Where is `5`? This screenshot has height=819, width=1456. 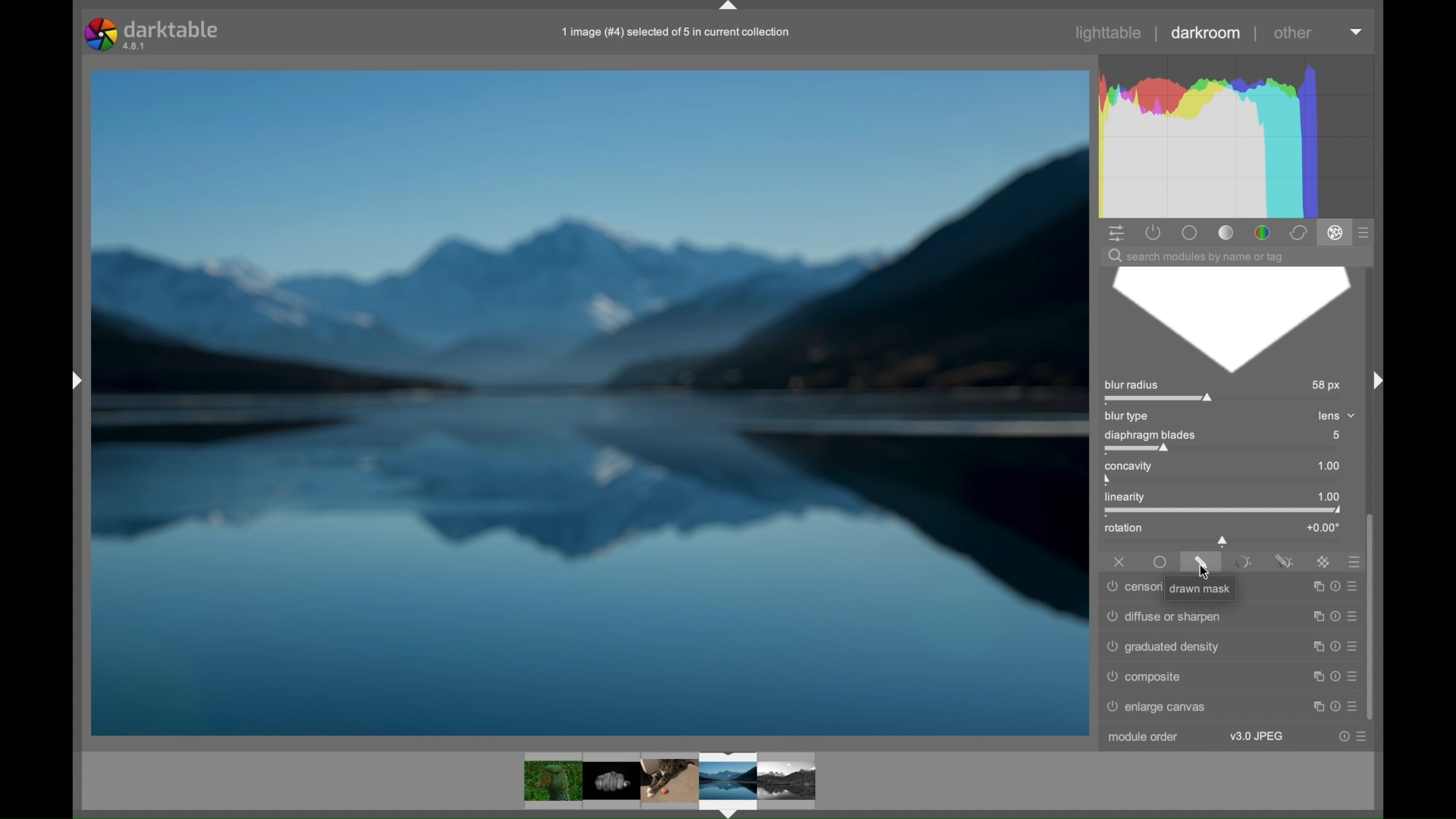 5 is located at coordinates (1341, 435).